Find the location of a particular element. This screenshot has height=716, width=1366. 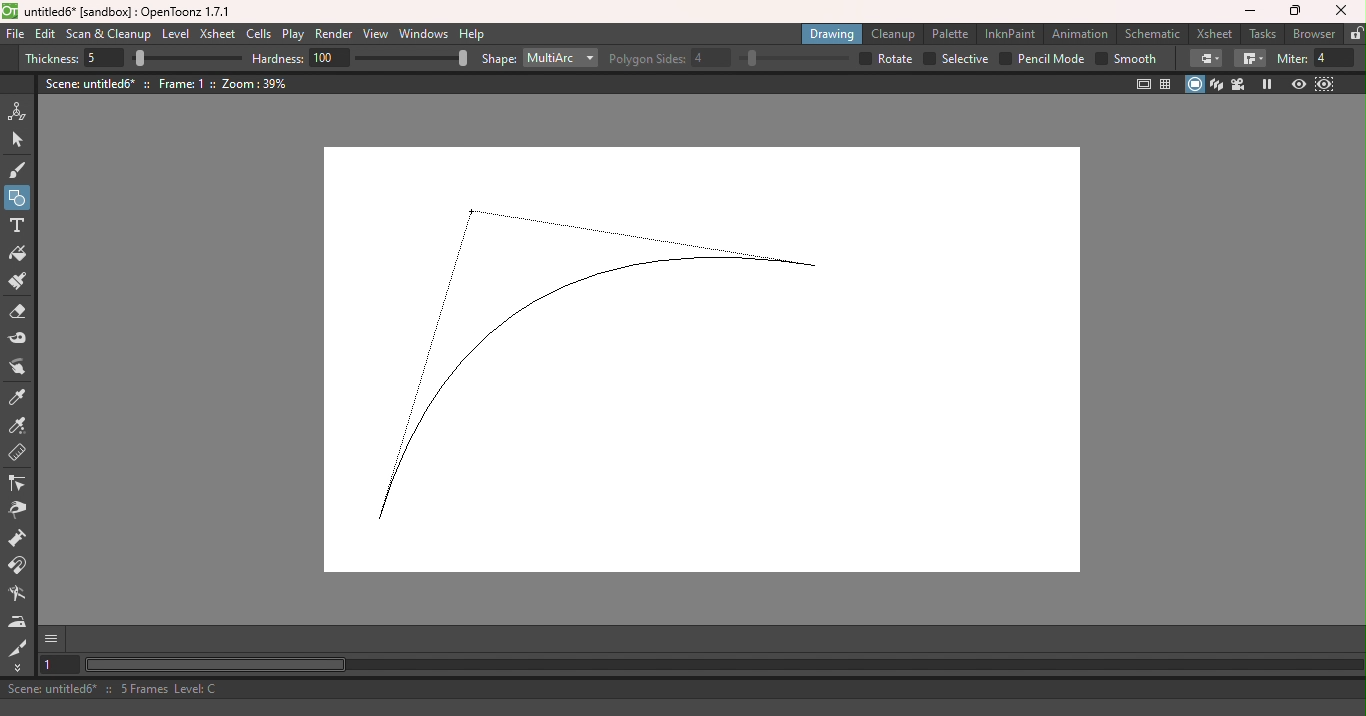

Play is located at coordinates (292, 35).